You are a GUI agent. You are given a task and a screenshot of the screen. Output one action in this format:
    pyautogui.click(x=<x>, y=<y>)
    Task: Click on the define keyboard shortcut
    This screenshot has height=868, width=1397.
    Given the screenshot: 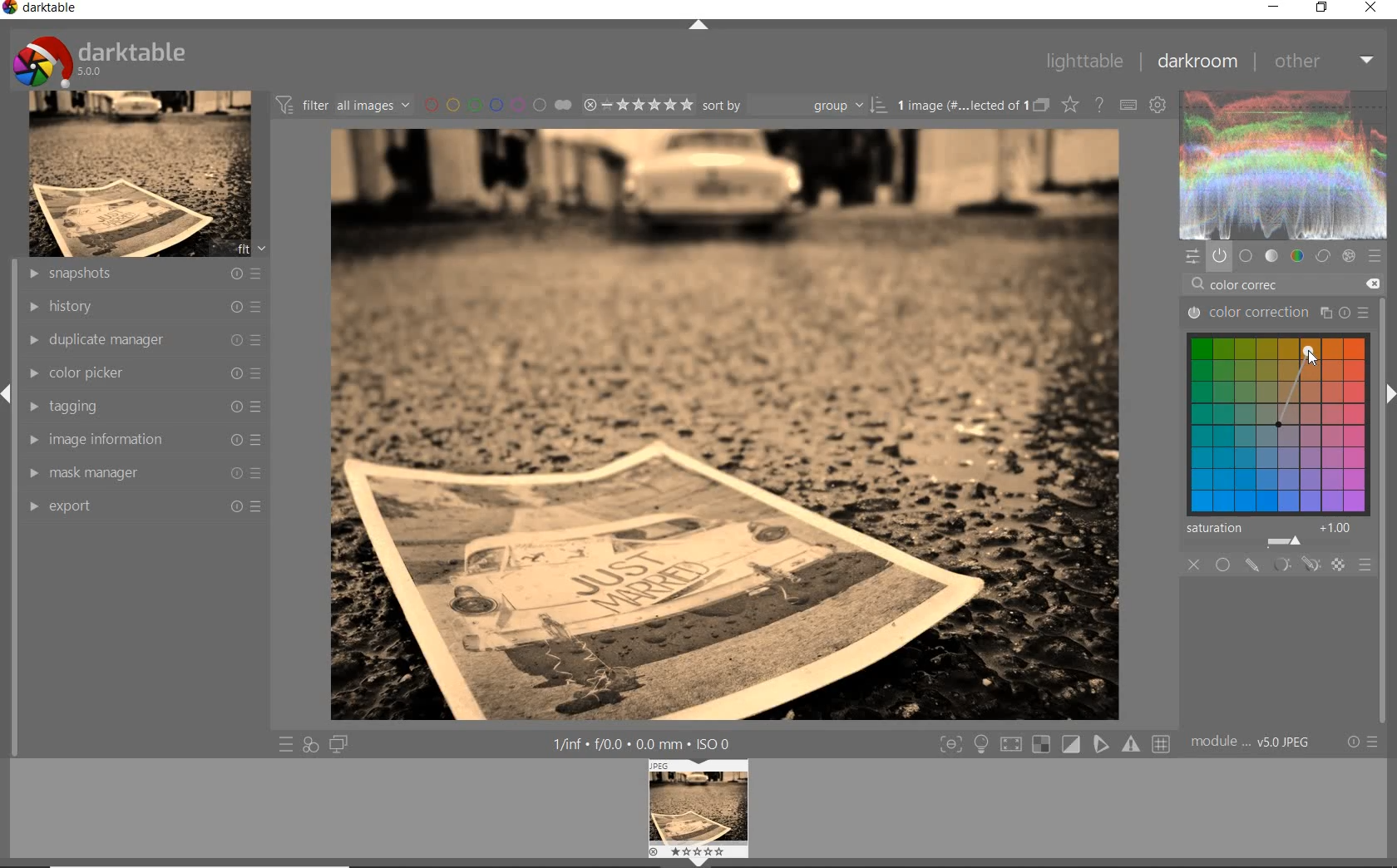 What is the action you would take?
    pyautogui.click(x=1128, y=104)
    